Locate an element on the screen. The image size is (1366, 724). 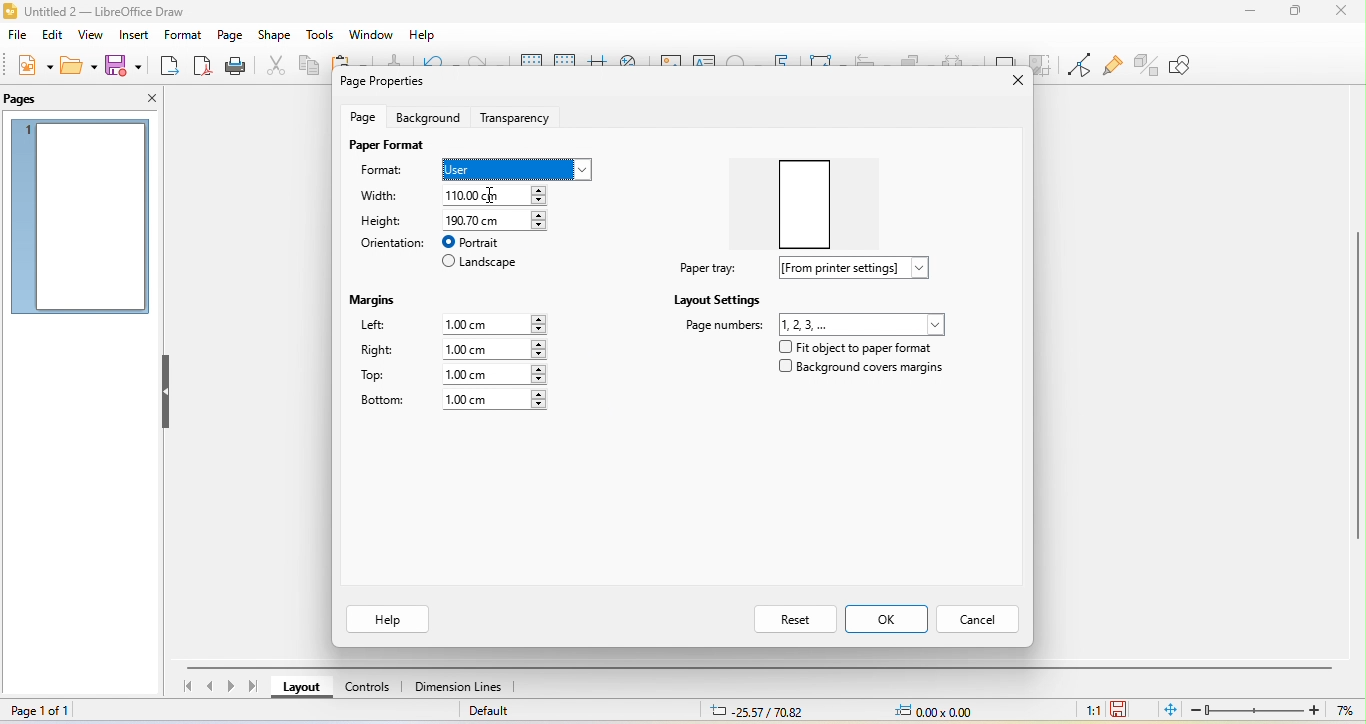
0.00x0.00 is located at coordinates (933, 710).